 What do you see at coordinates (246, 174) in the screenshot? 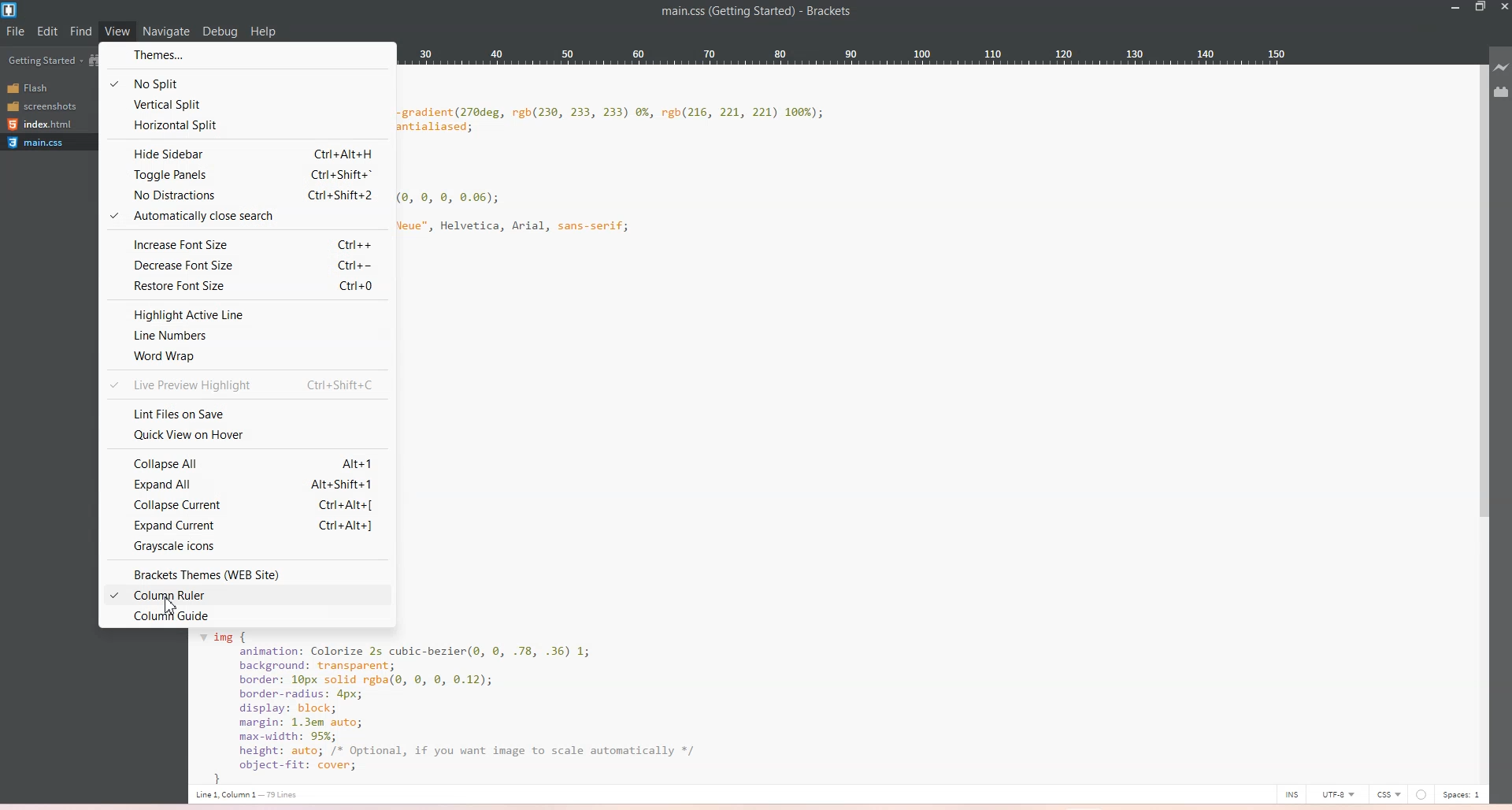
I see `Toggle panels` at bounding box center [246, 174].